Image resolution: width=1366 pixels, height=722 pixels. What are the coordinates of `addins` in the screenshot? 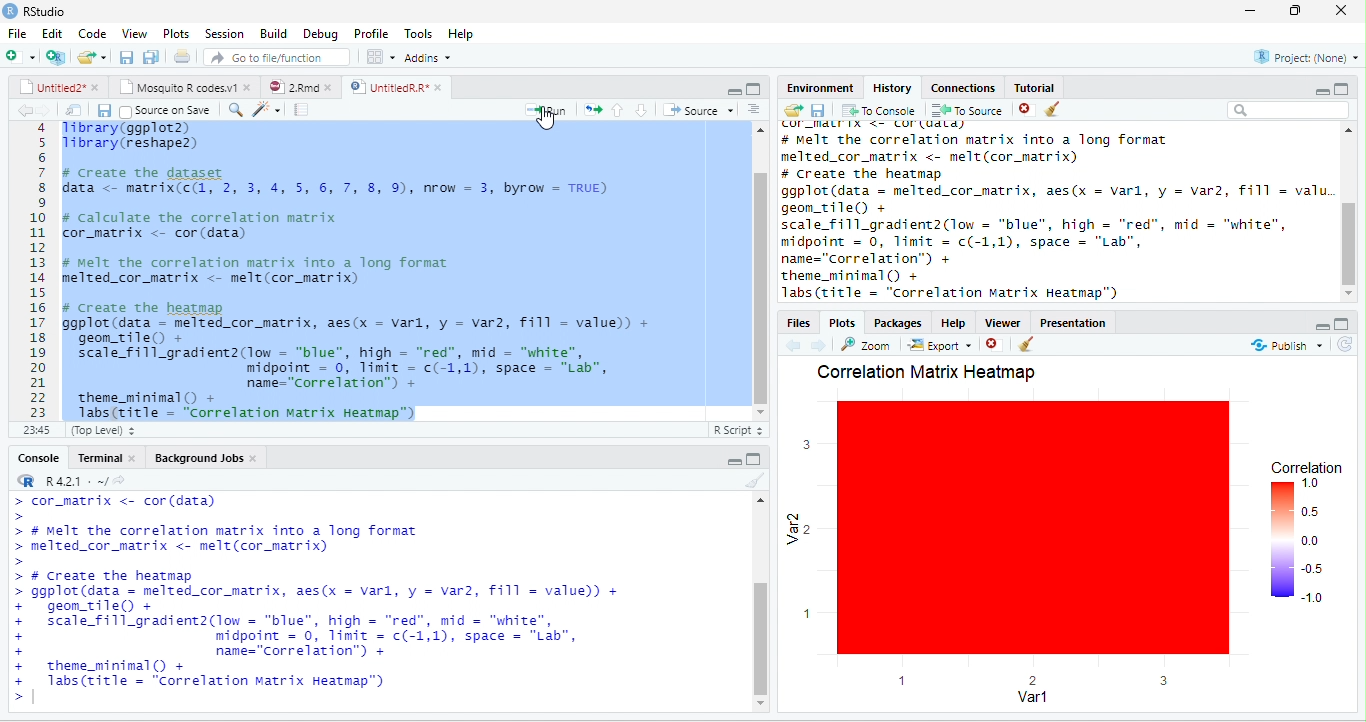 It's located at (432, 57).